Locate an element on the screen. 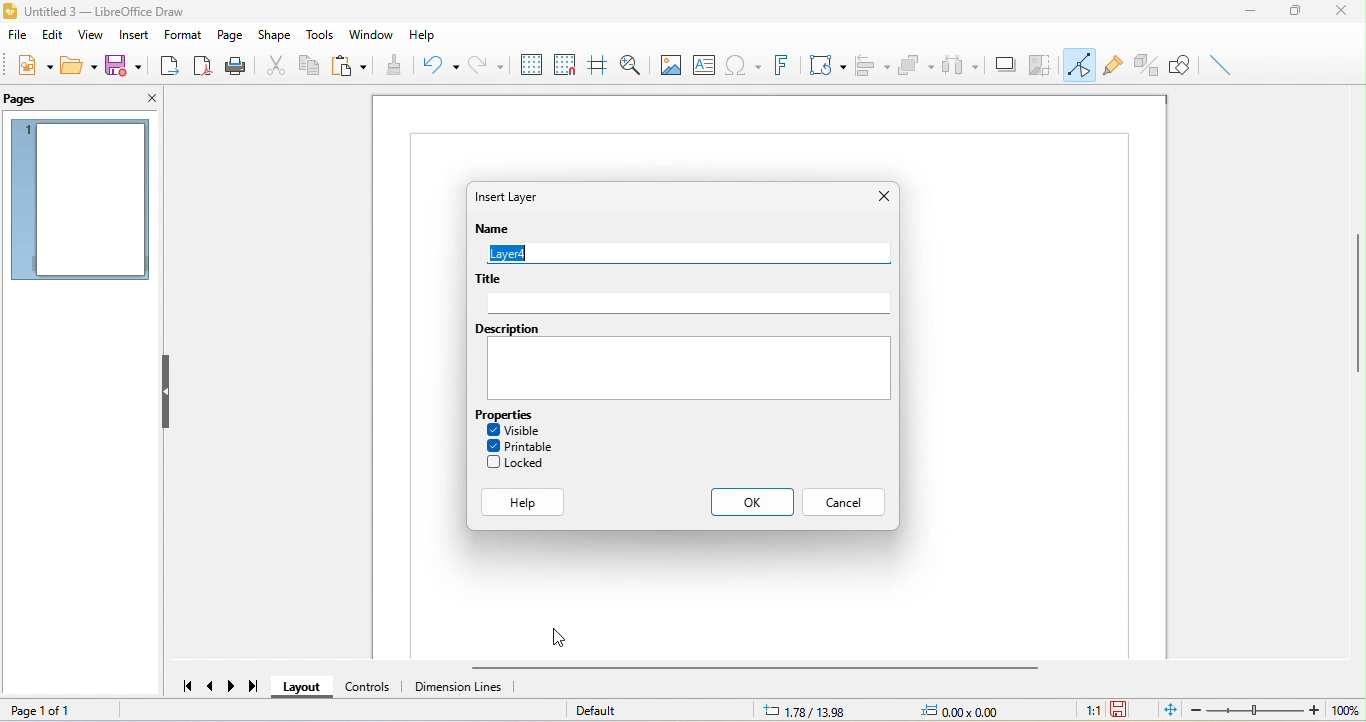 The height and width of the screenshot is (722, 1366). export direct as pdf is located at coordinates (203, 65).